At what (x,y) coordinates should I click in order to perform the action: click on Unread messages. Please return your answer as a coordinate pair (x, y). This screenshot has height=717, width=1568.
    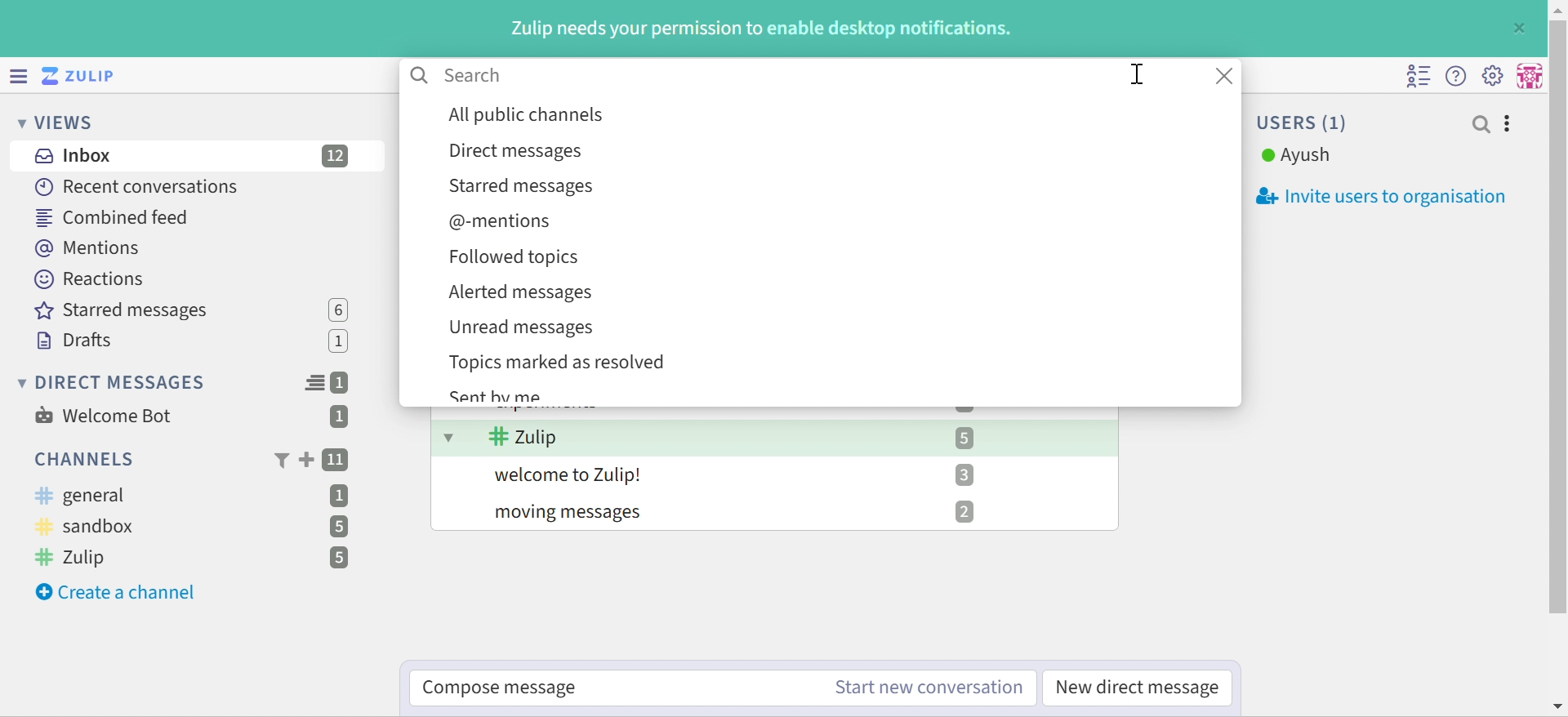
    Looking at the image, I should click on (523, 329).